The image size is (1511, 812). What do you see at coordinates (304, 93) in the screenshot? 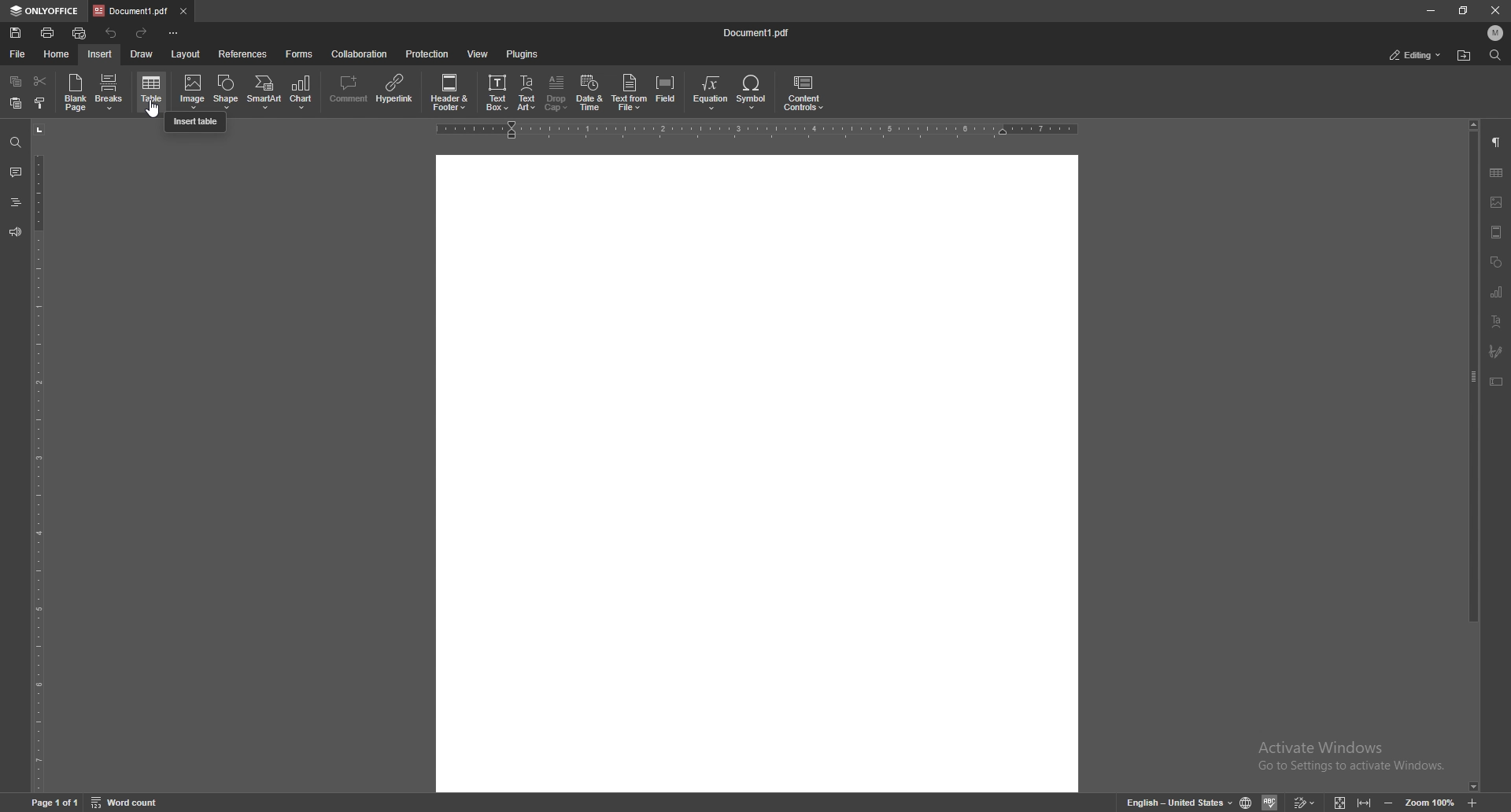
I see `chart` at bounding box center [304, 93].